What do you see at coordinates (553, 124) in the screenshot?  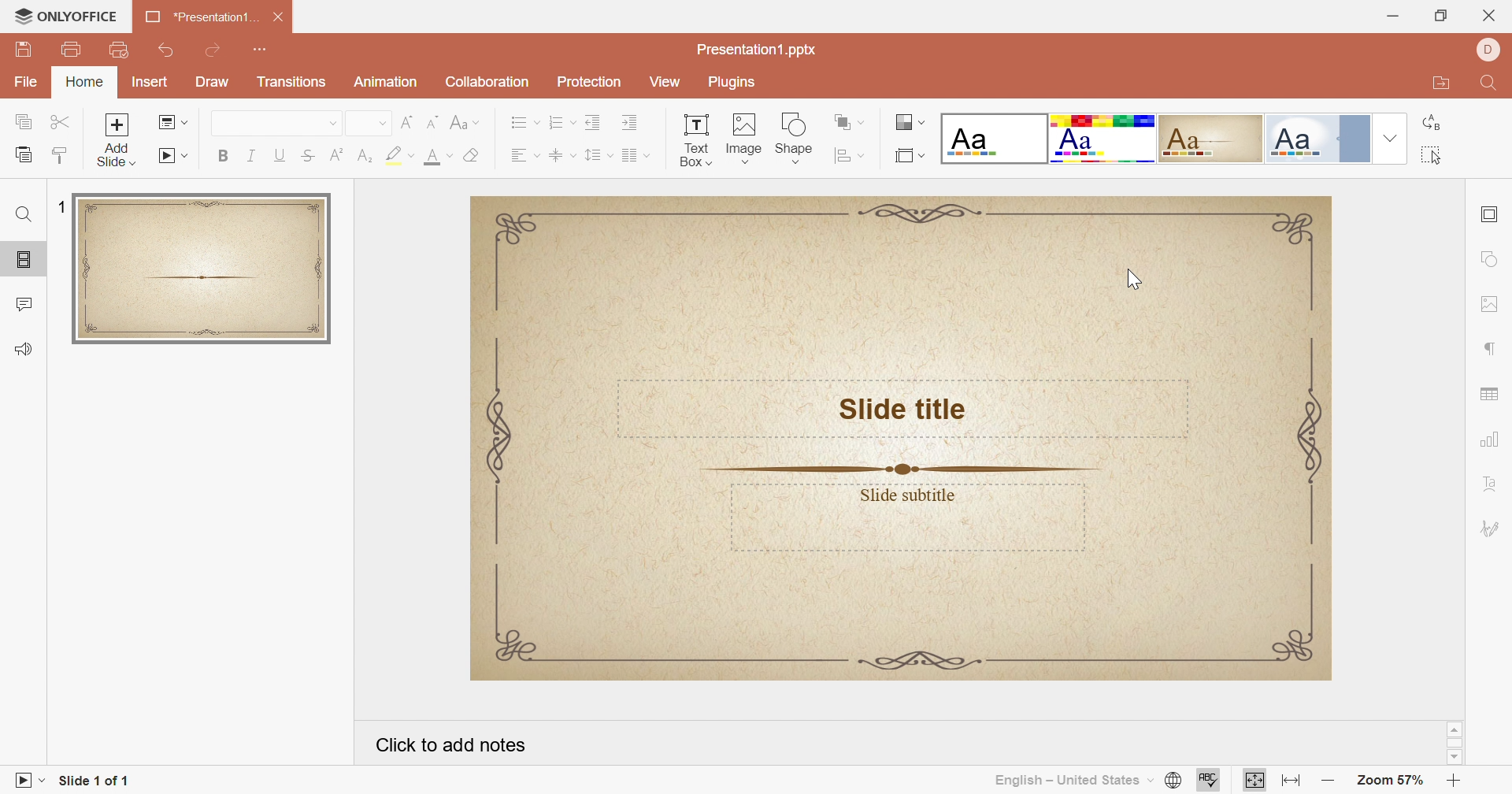 I see `Numbering` at bounding box center [553, 124].